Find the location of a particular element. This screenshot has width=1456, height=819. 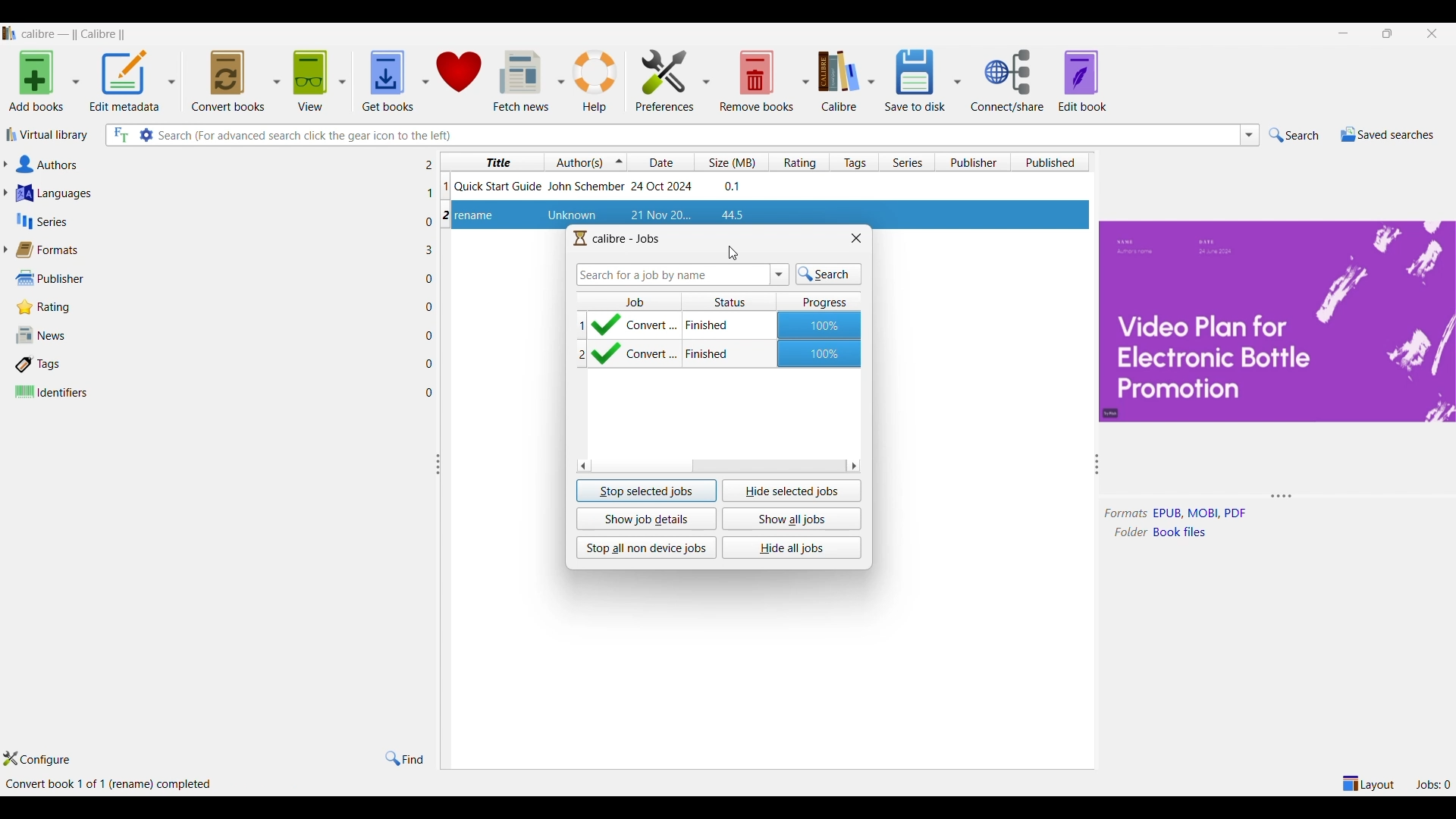

Search all files is located at coordinates (120, 135).